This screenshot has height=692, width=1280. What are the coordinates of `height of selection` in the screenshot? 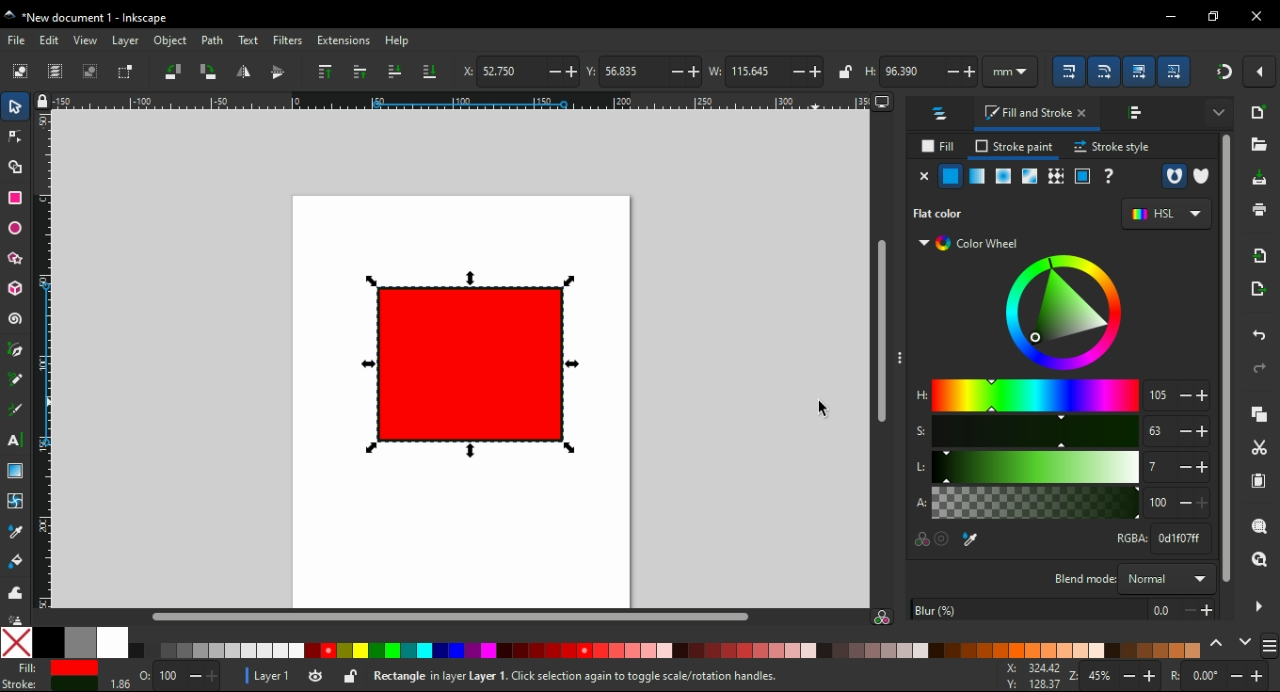 It's located at (870, 70).